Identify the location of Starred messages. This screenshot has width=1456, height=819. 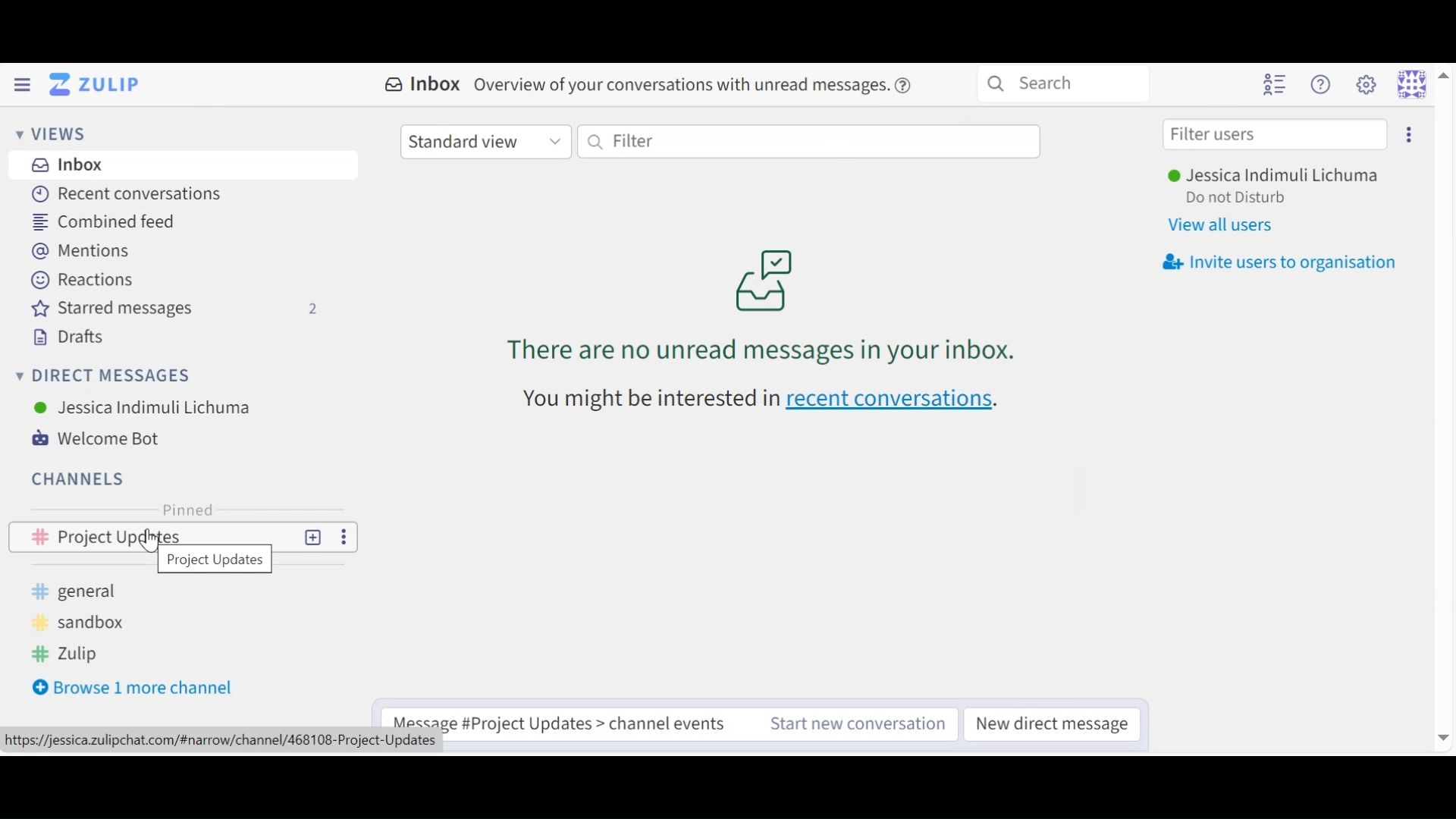
(181, 309).